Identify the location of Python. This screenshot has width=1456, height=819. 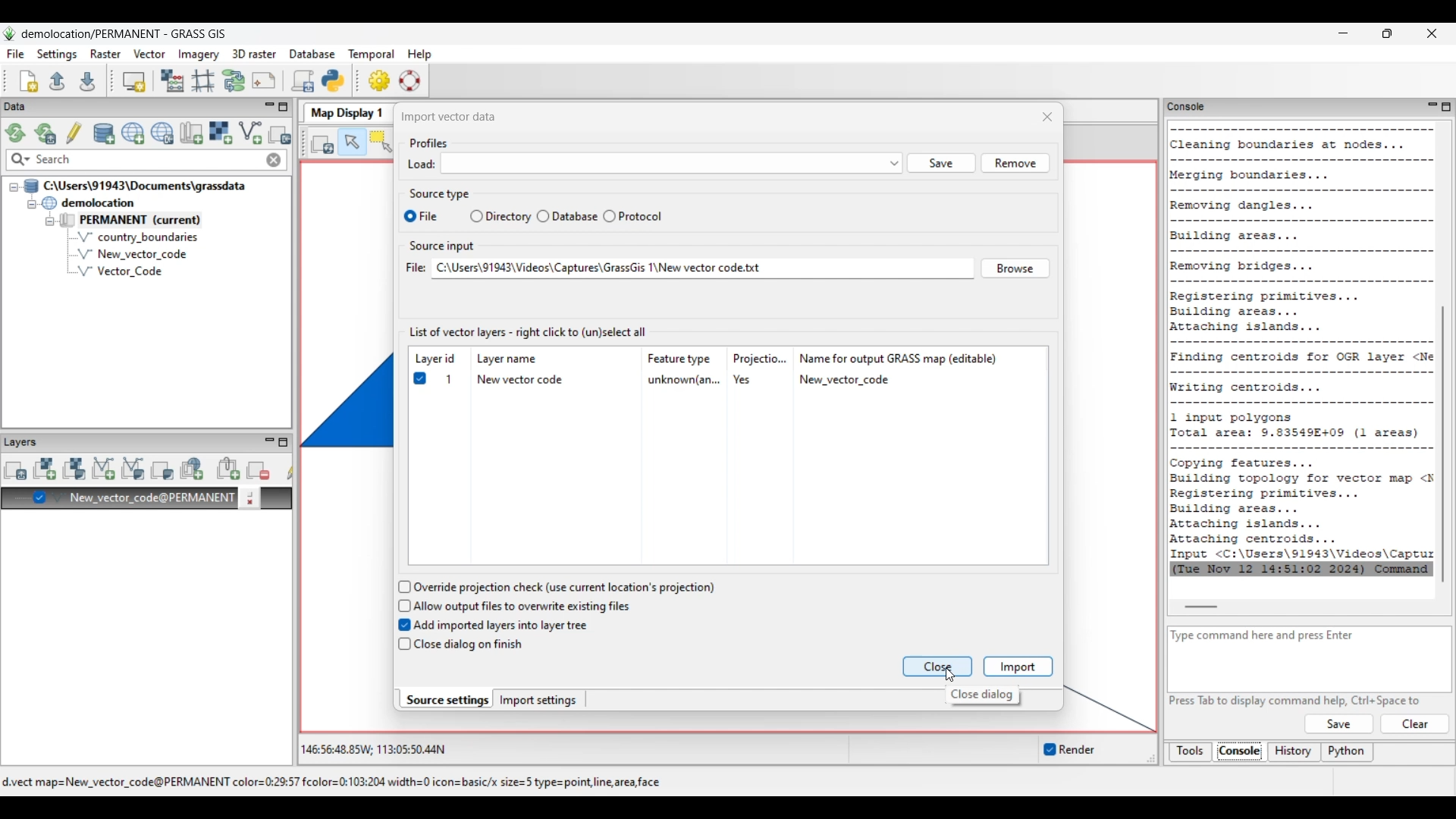
(1348, 753).